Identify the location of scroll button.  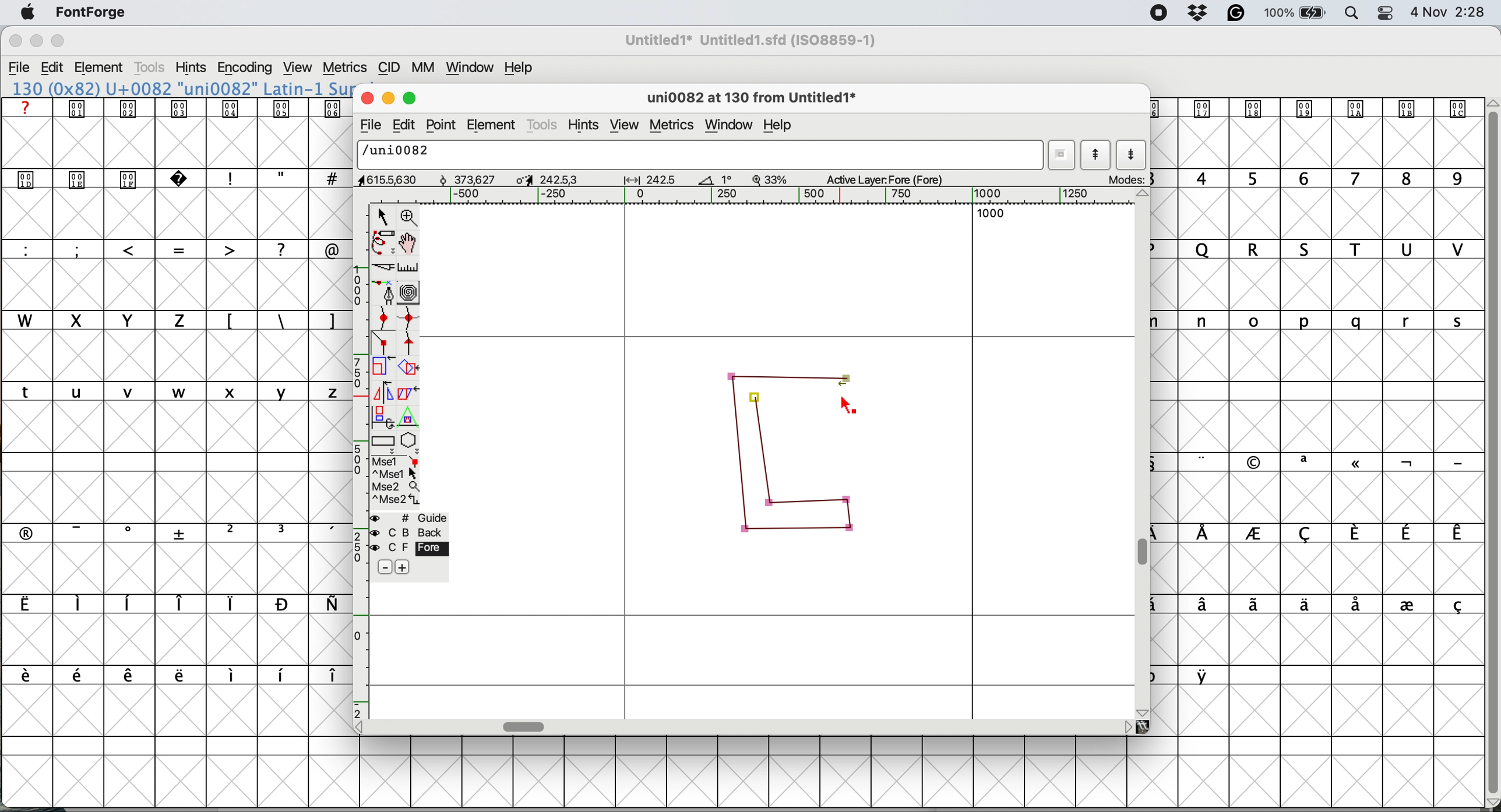
(364, 726).